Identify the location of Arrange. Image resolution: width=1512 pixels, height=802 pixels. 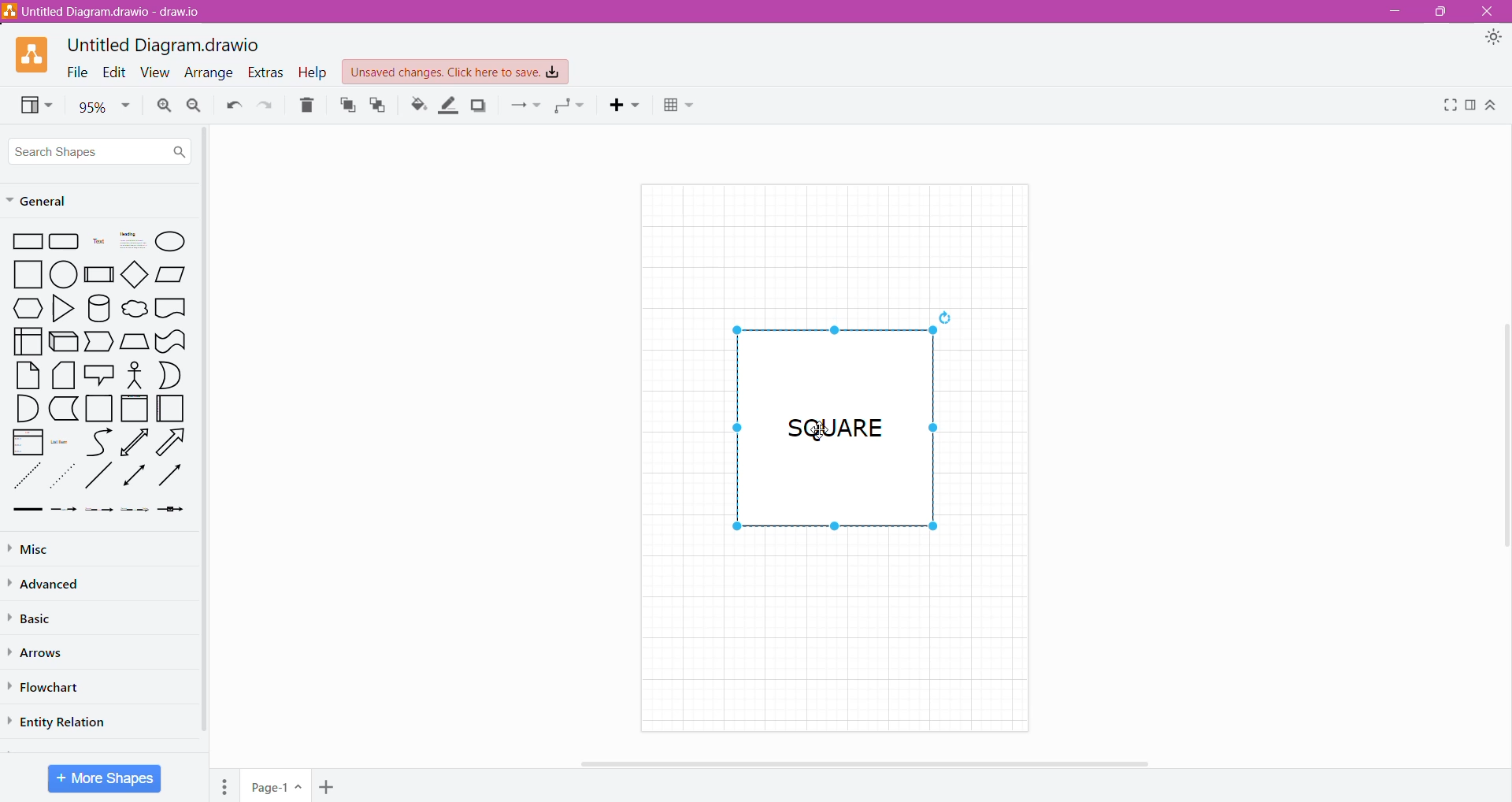
(210, 73).